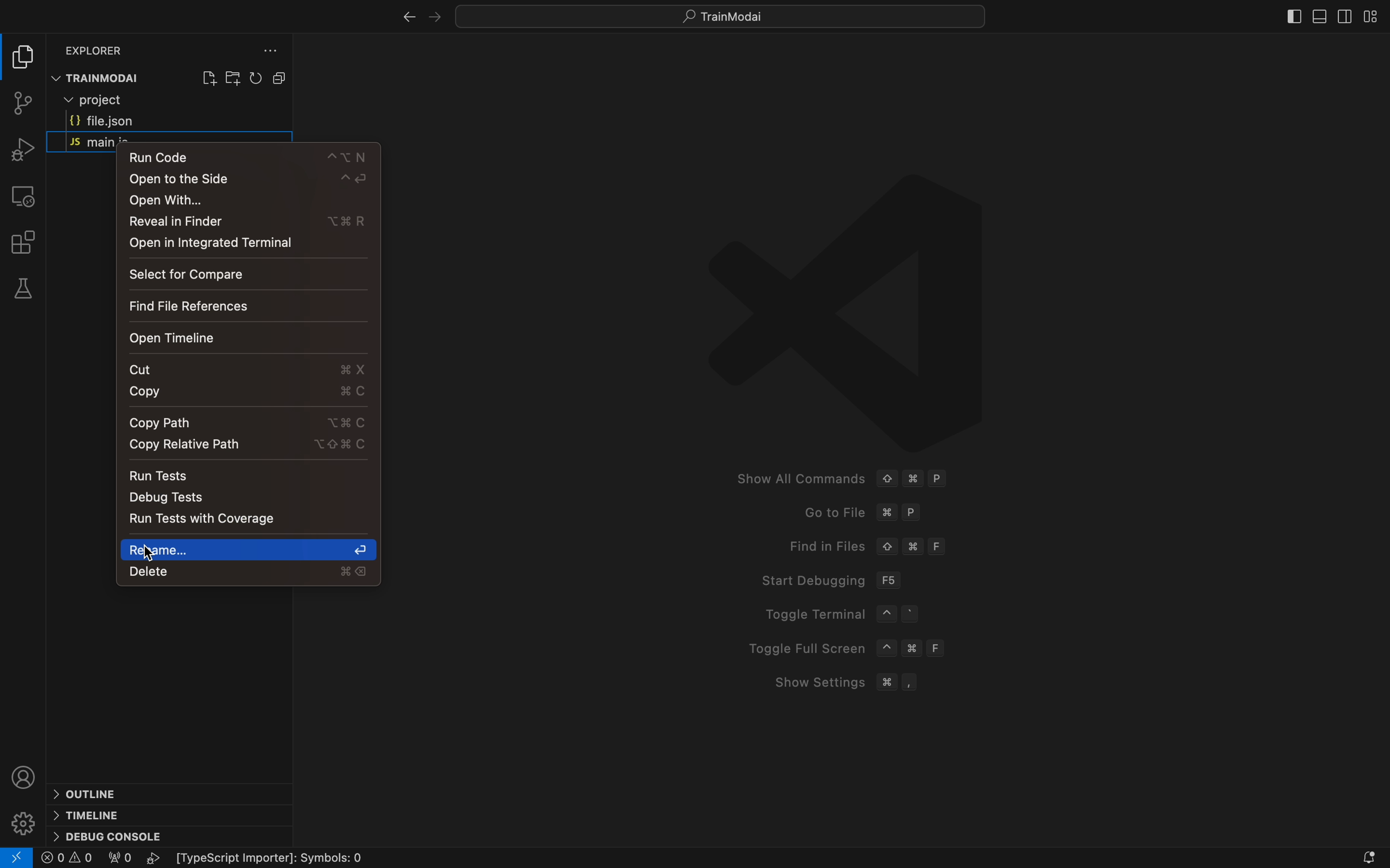 The image size is (1390, 868). I want to click on 0, so click(123, 858).